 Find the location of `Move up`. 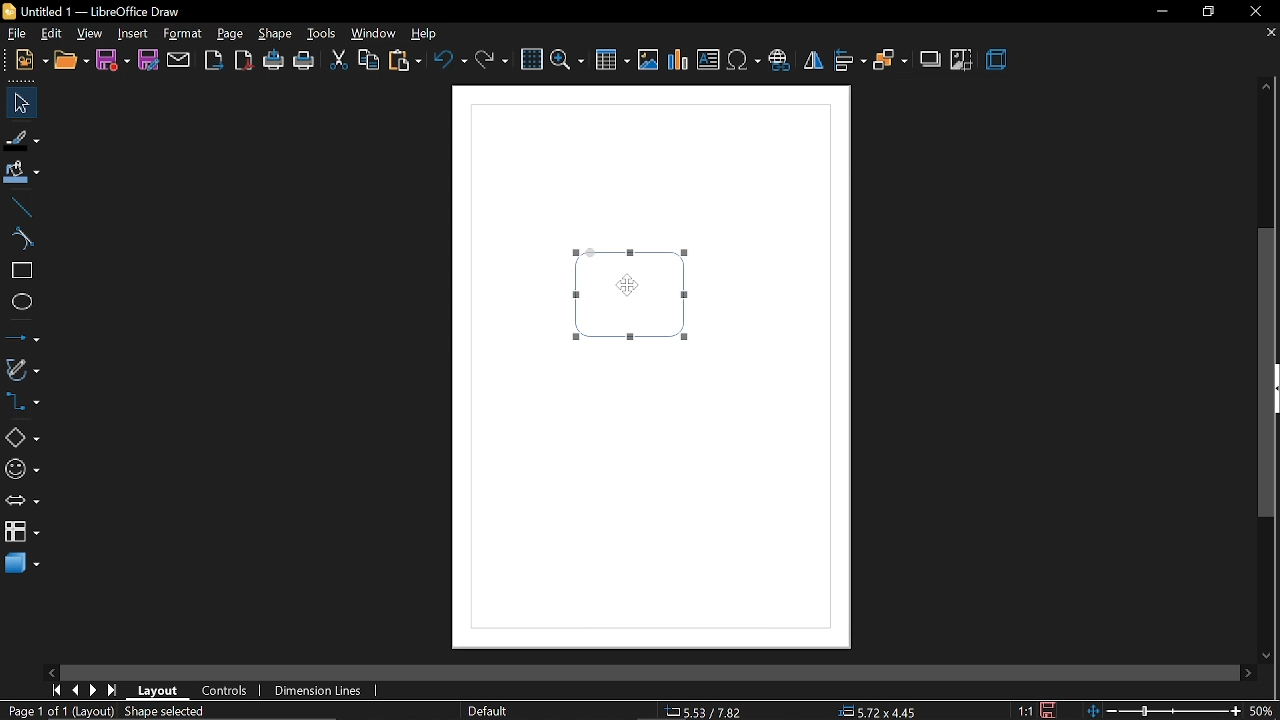

Move up is located at coordinates (1267, 85).